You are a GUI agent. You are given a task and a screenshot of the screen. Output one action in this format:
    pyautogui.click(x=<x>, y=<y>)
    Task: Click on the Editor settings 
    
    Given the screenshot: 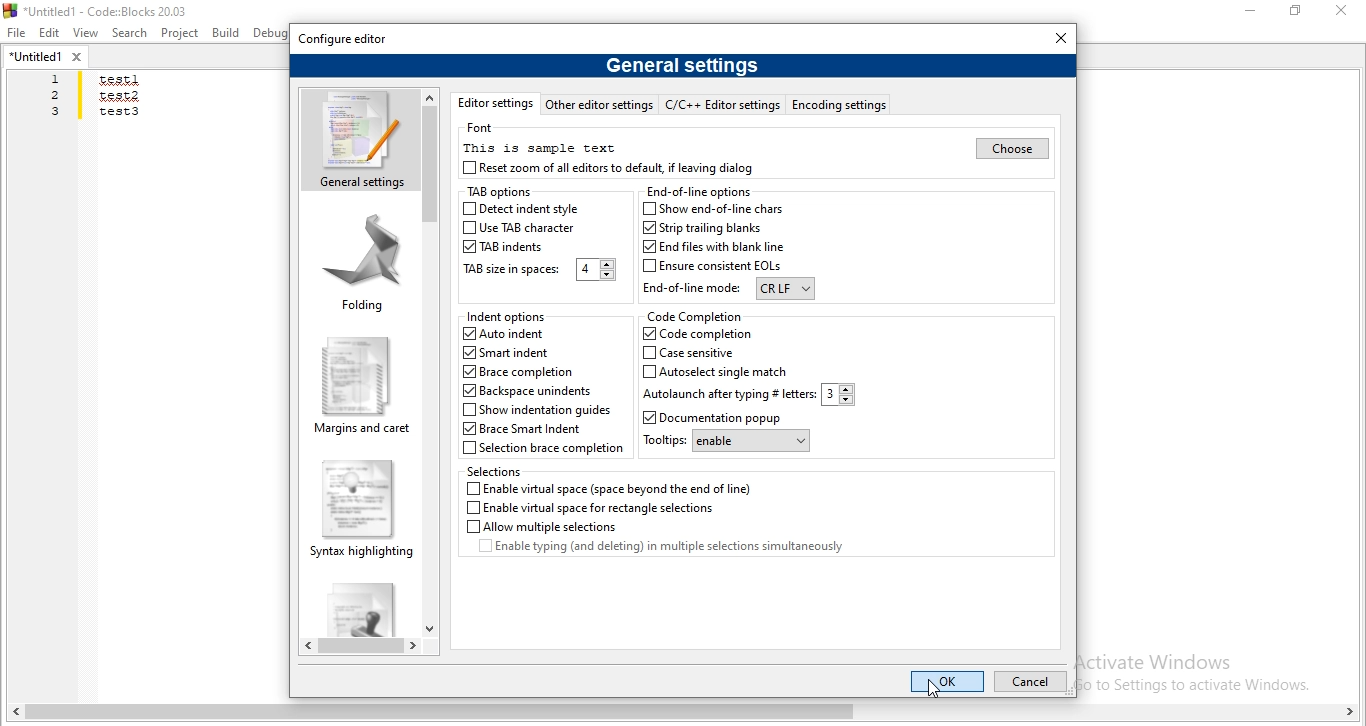 What is the action you would take?
    pyautogui.click(x=494, y=103)
    